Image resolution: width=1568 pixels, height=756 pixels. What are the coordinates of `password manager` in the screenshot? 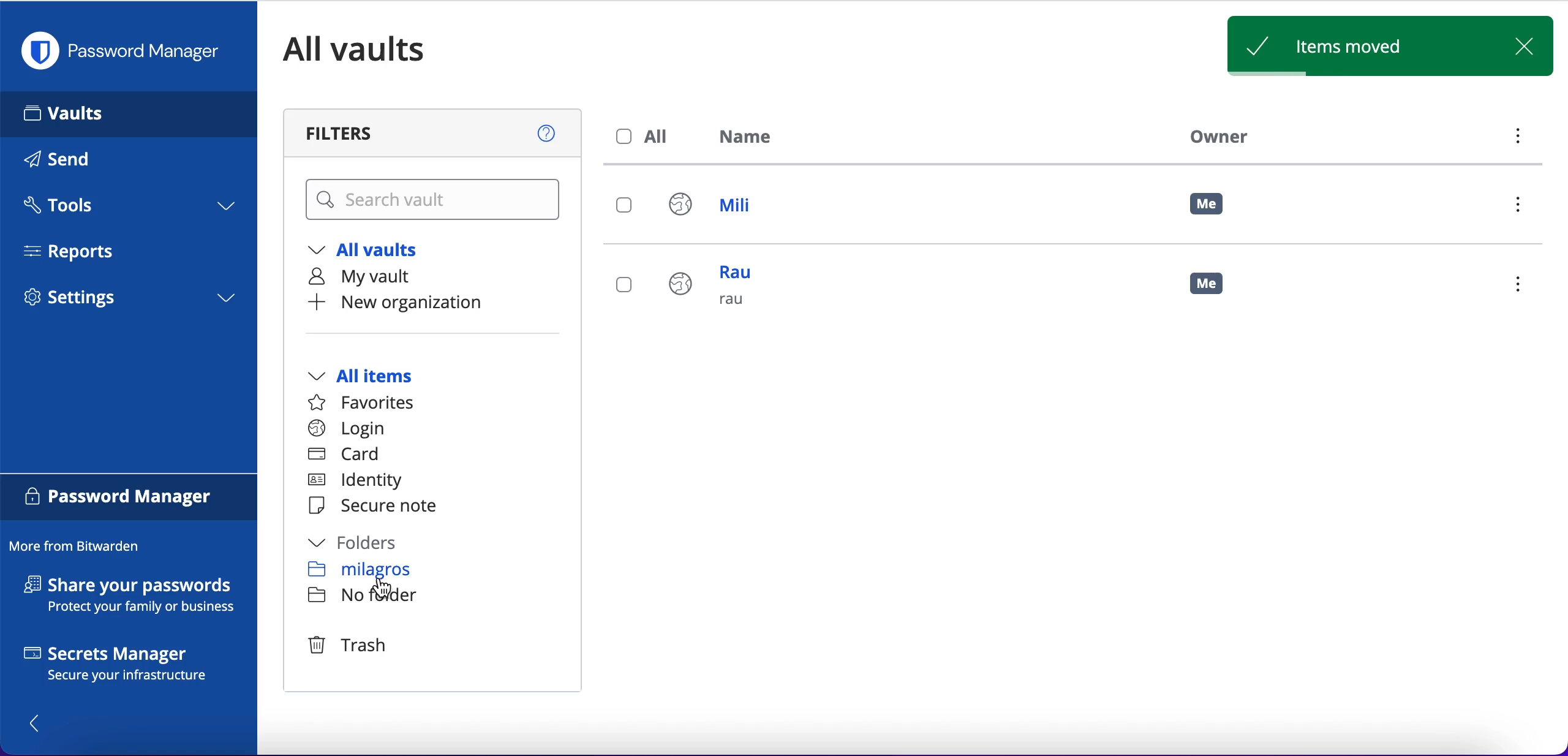 It's located at (126, 51).